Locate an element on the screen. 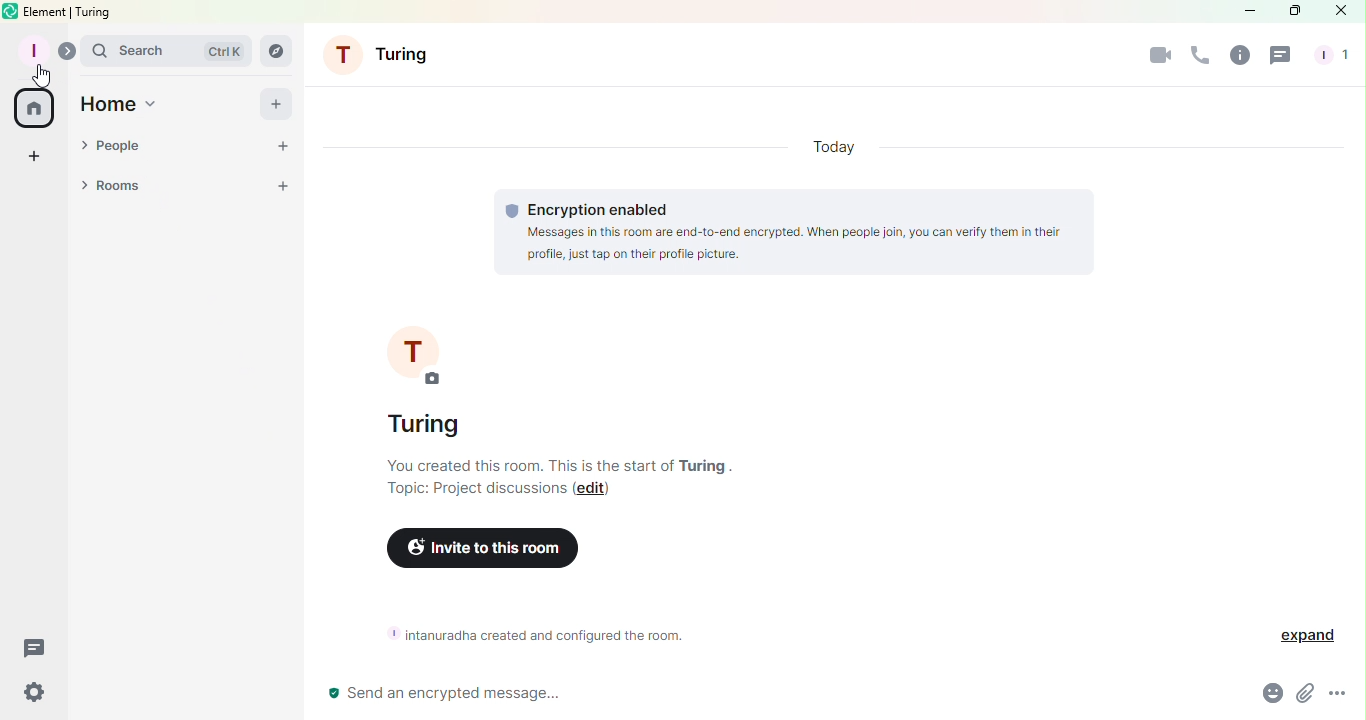  More options is located at coordinates (1340, 695).